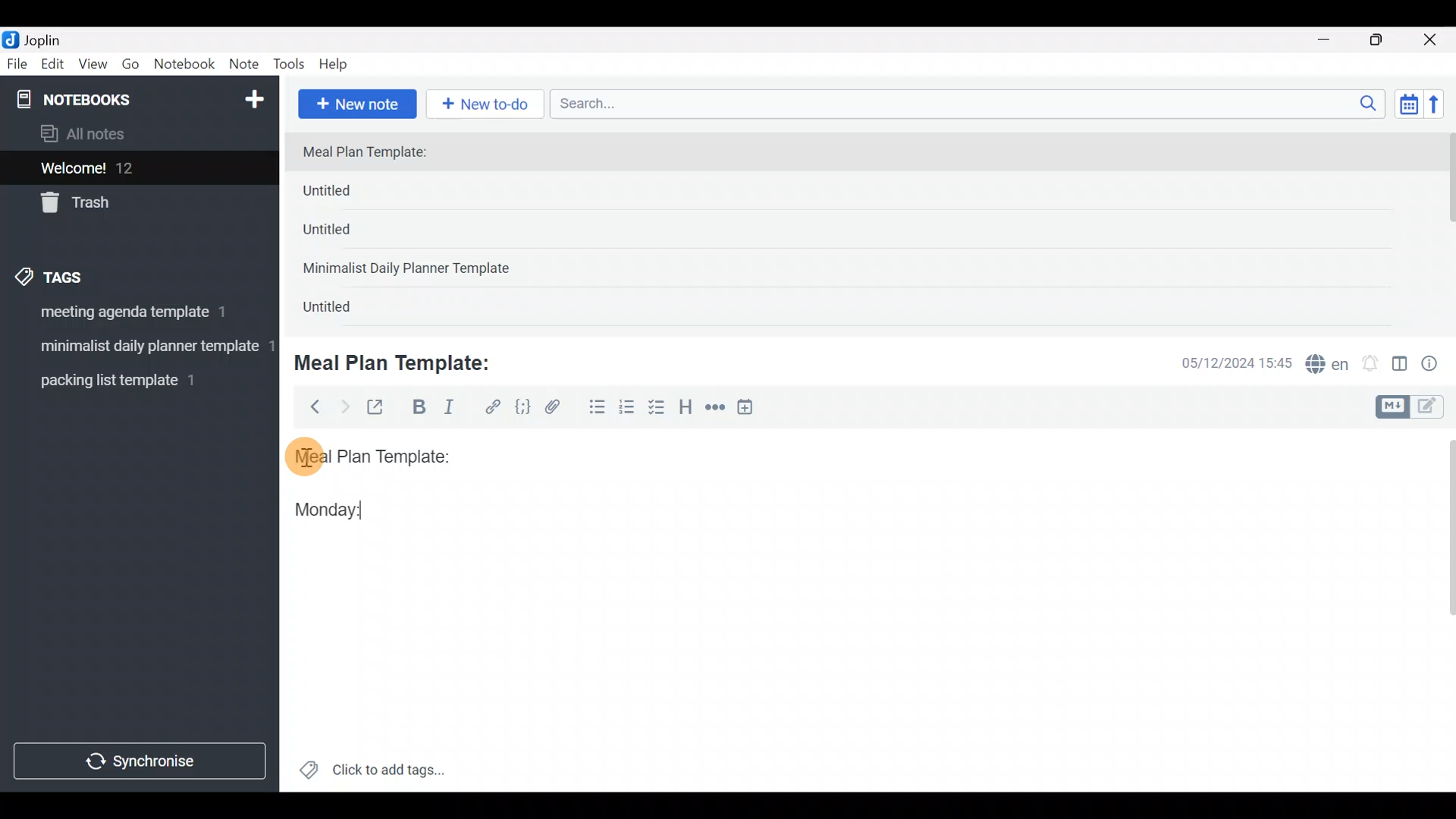 The image size is (1456, 819). I want to click on Tools, so click(290, 65).